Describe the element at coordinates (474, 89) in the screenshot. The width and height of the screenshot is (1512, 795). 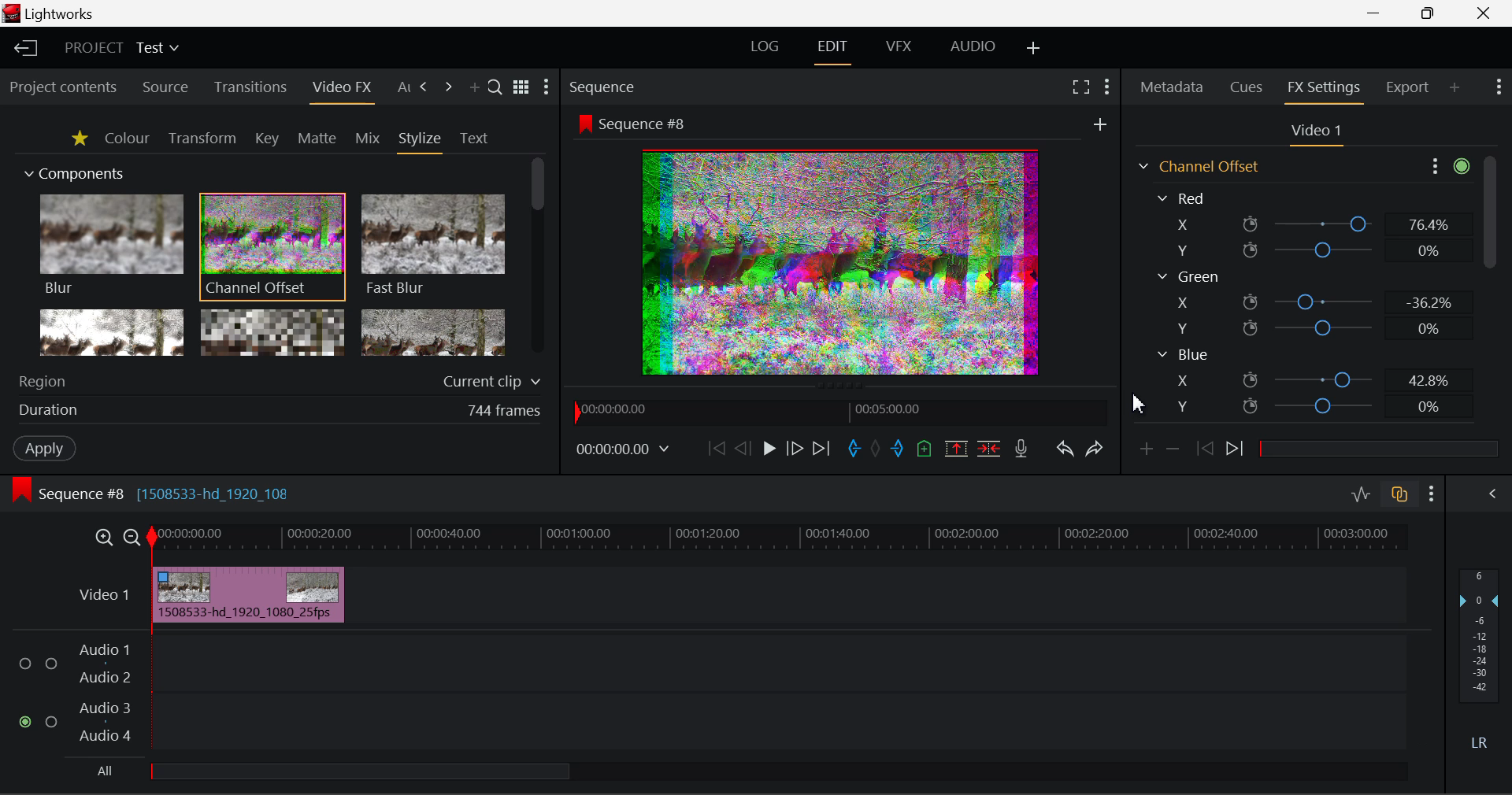
I see `Add Panel` at that location.